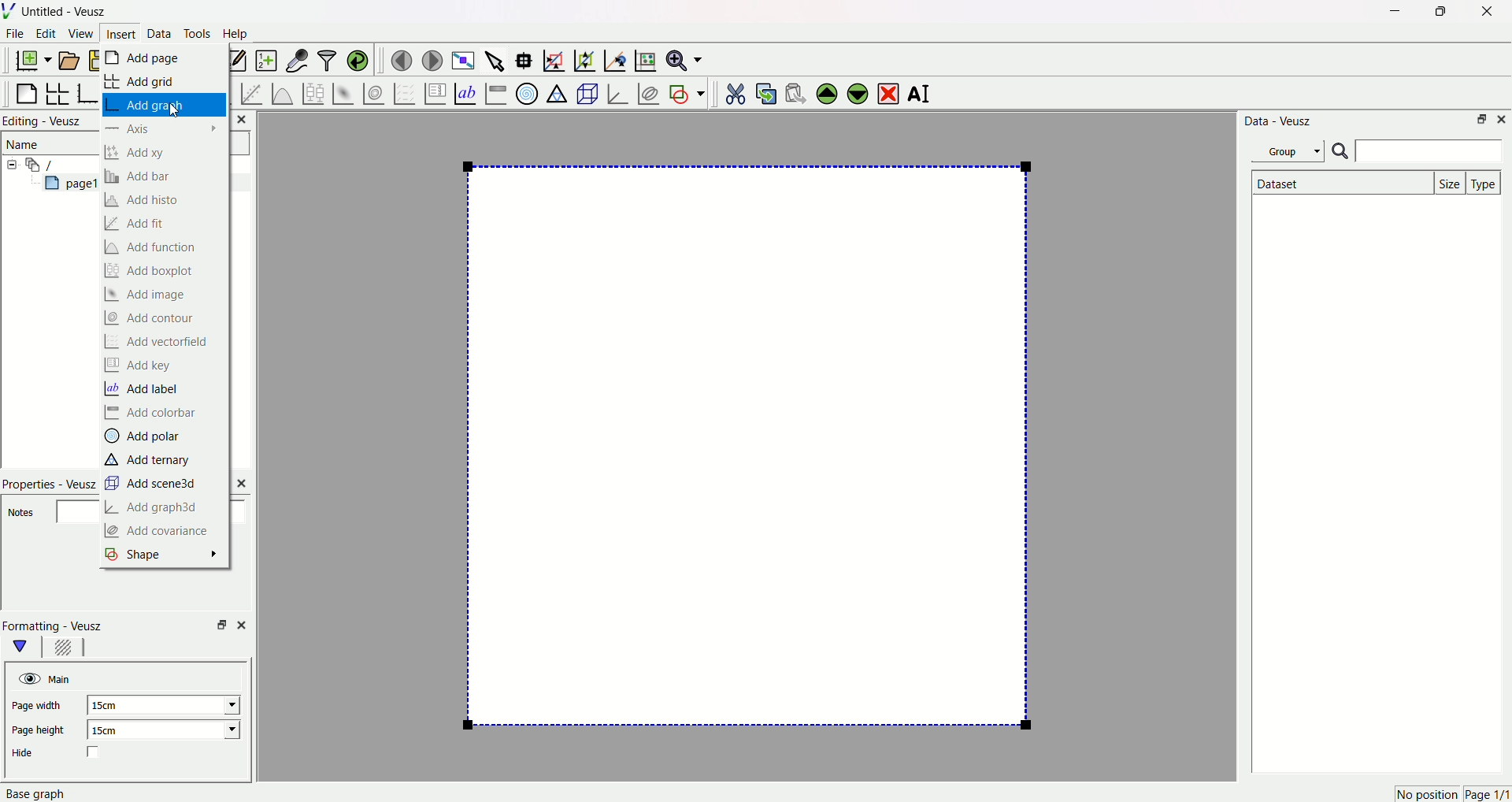  I want to click on main, so click(24, 647).